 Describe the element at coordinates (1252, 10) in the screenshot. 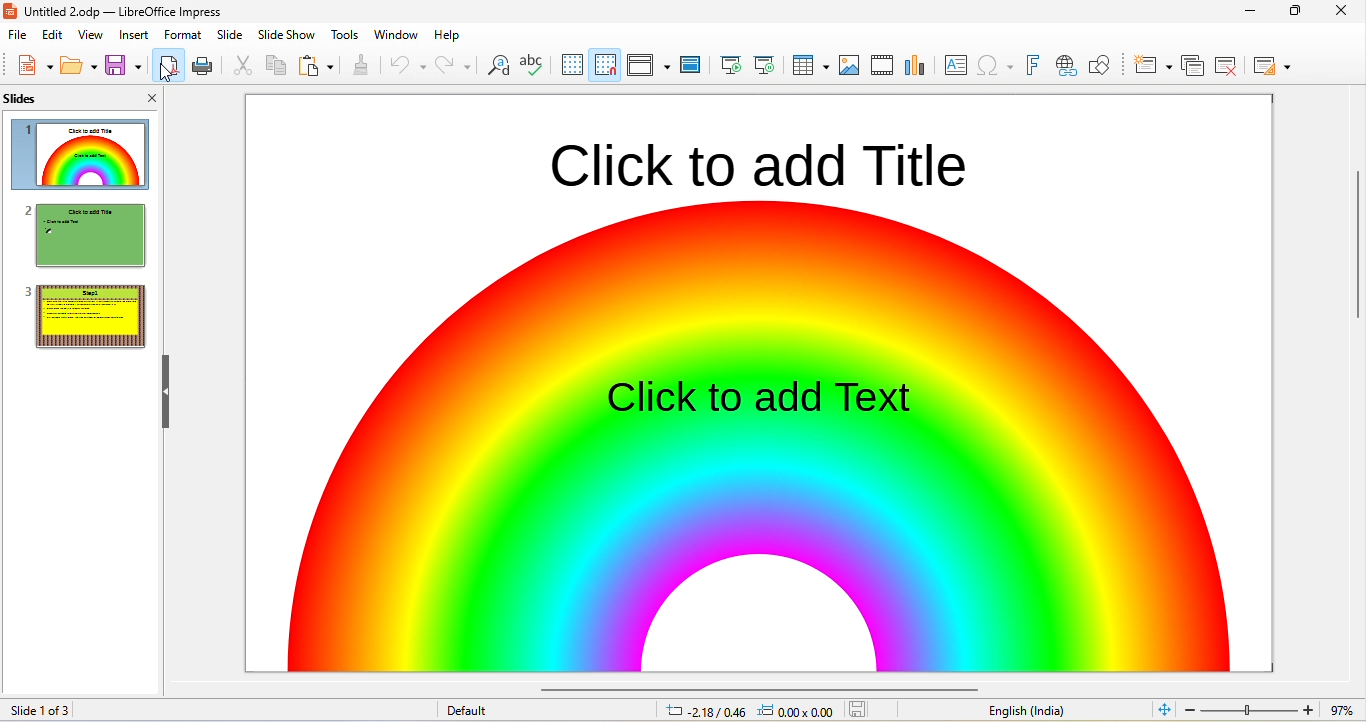

I see `minimize` at that location.